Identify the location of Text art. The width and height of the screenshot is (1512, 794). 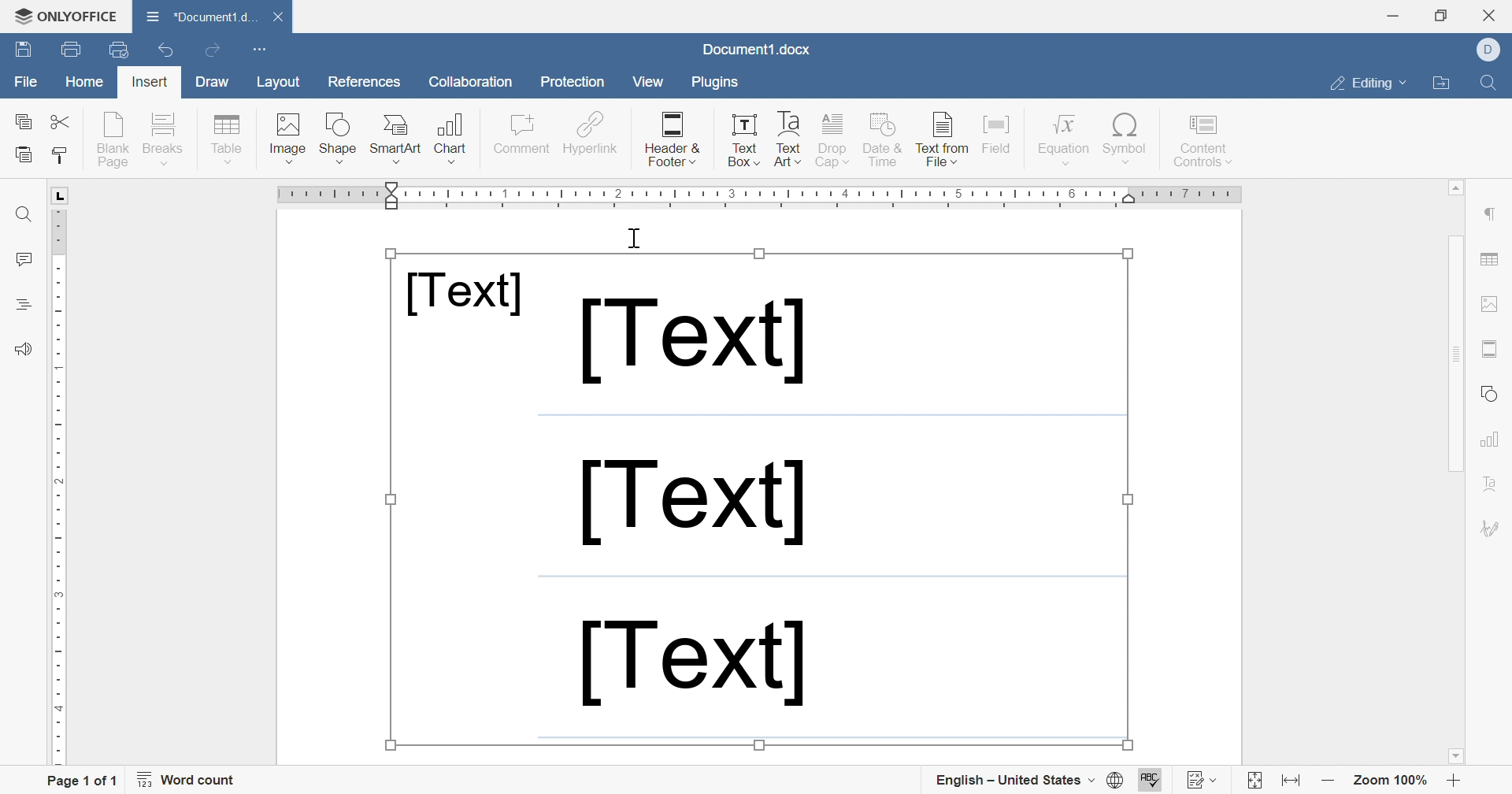
(788, 141).